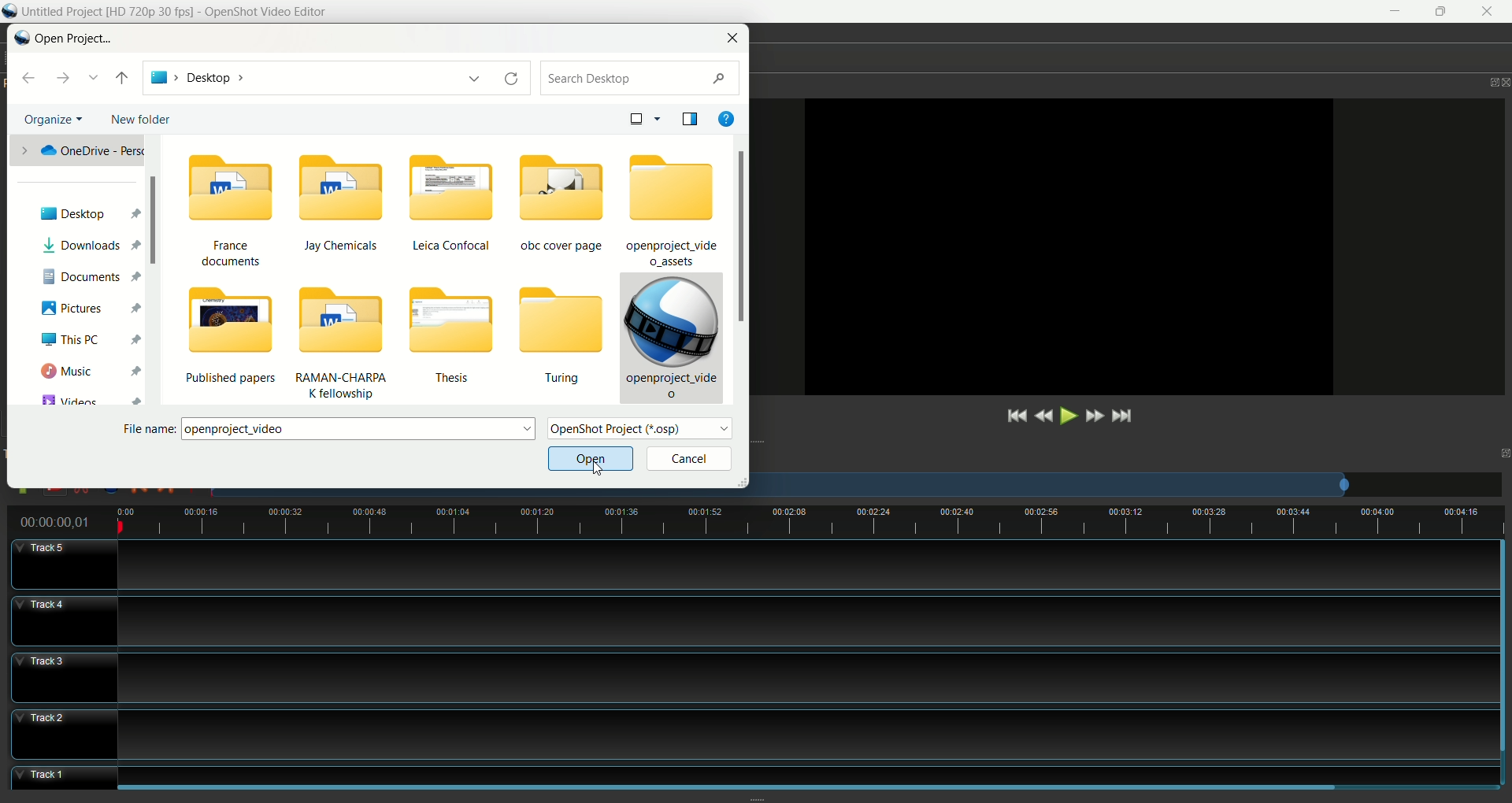  Describe the element at coordinates (193, 12) in the screenshot. I see `Untitled Project [HD 720p 30 fps] - OpenShot Video Editor` at that location.